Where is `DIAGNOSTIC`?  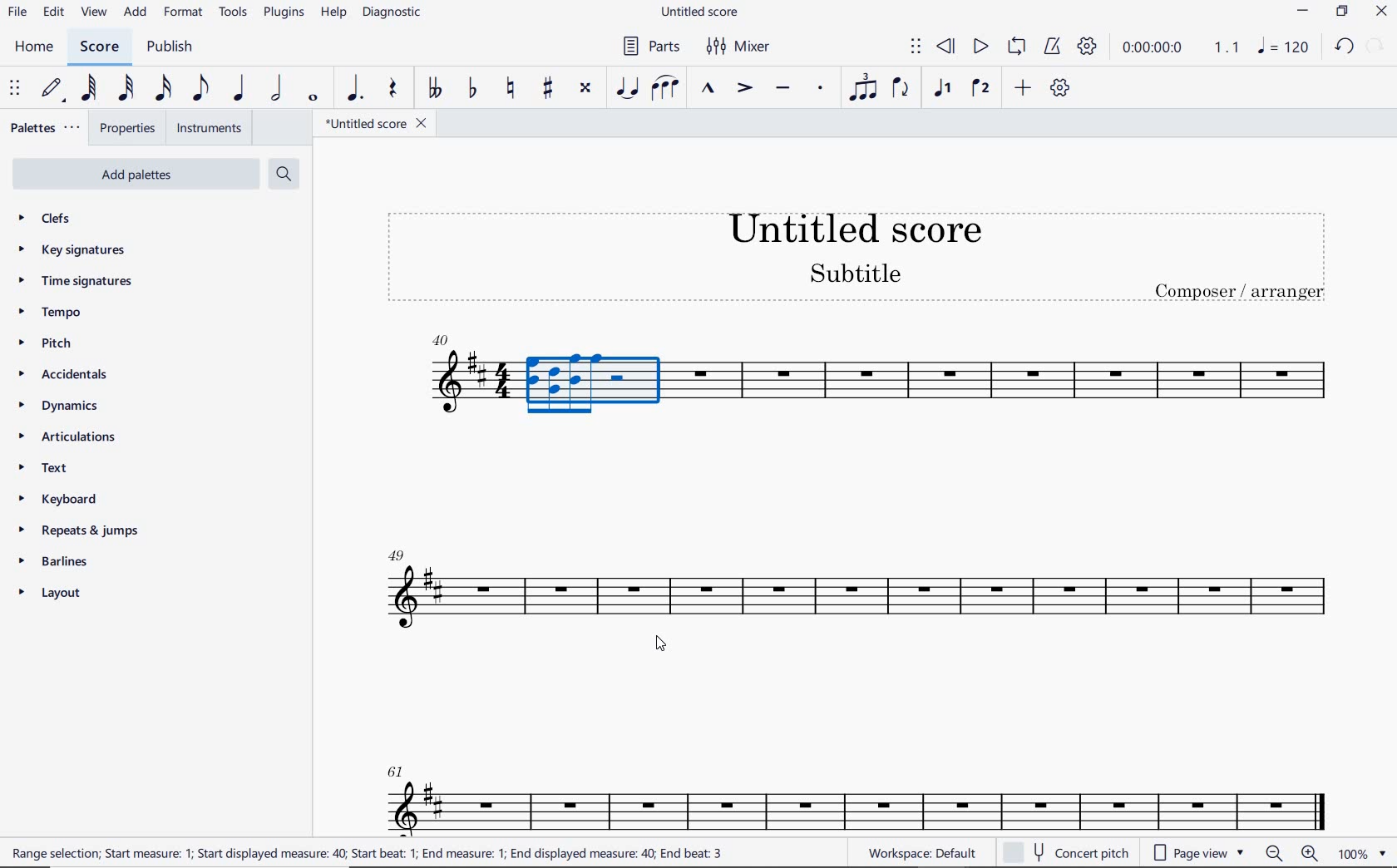
DIAGNOSTIC is located at coordinates (397, 13).